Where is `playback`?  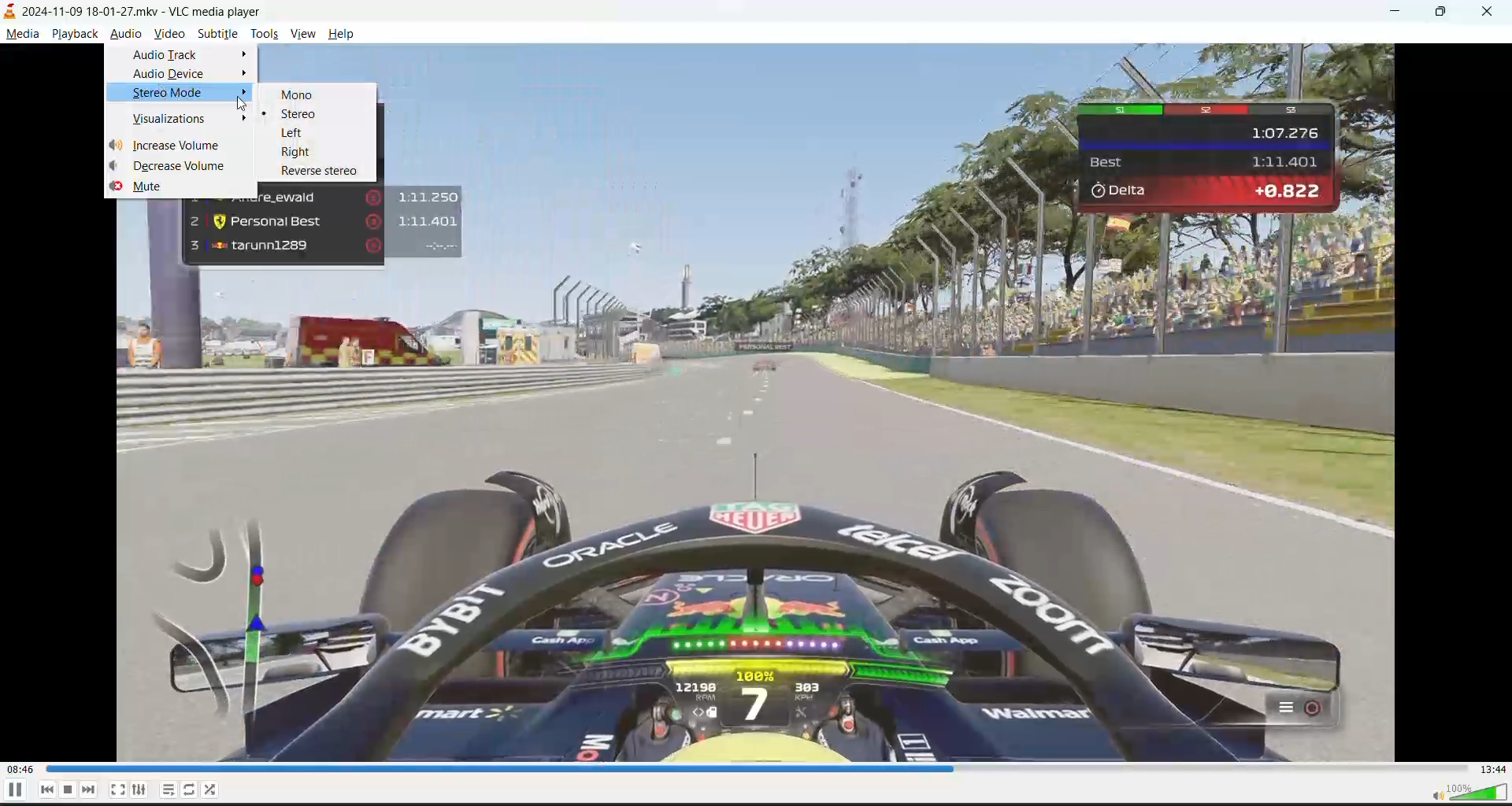
playback is located at coordinates (75, 35).